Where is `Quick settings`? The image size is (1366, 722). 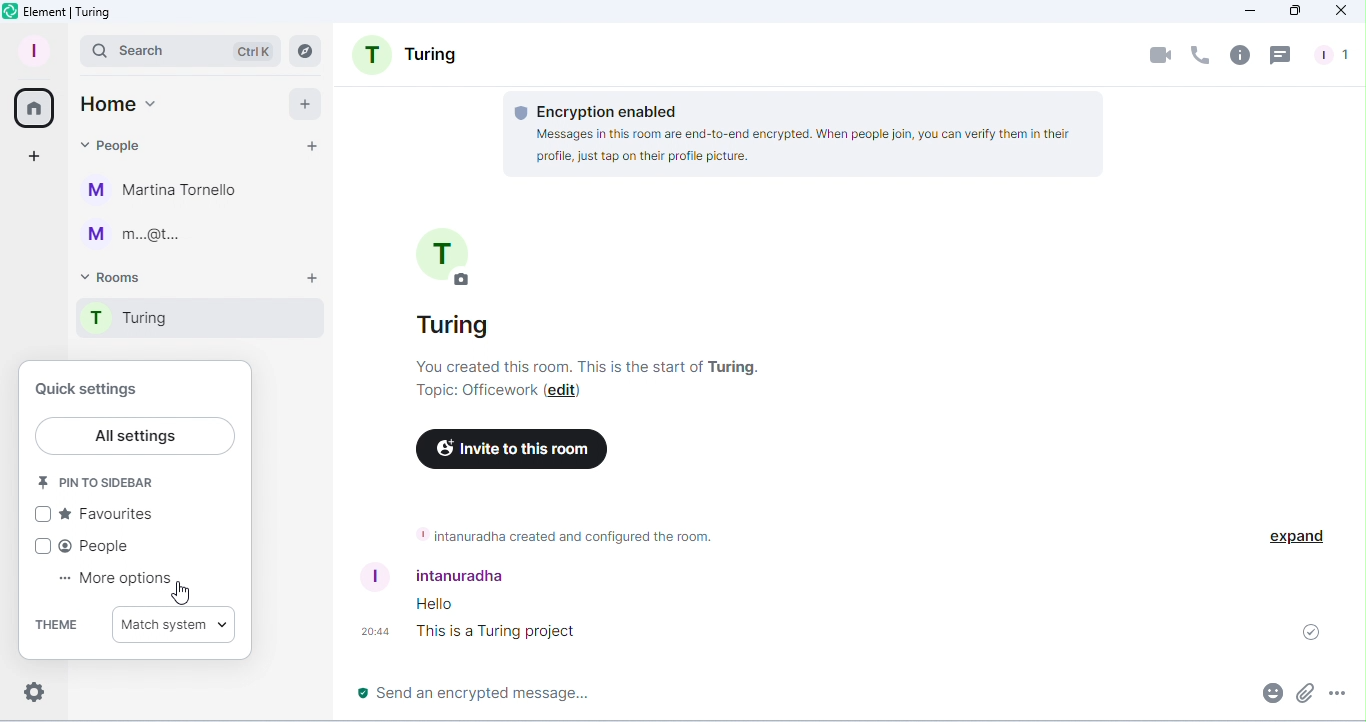 Quick settings is located at coordinates (32, 695).